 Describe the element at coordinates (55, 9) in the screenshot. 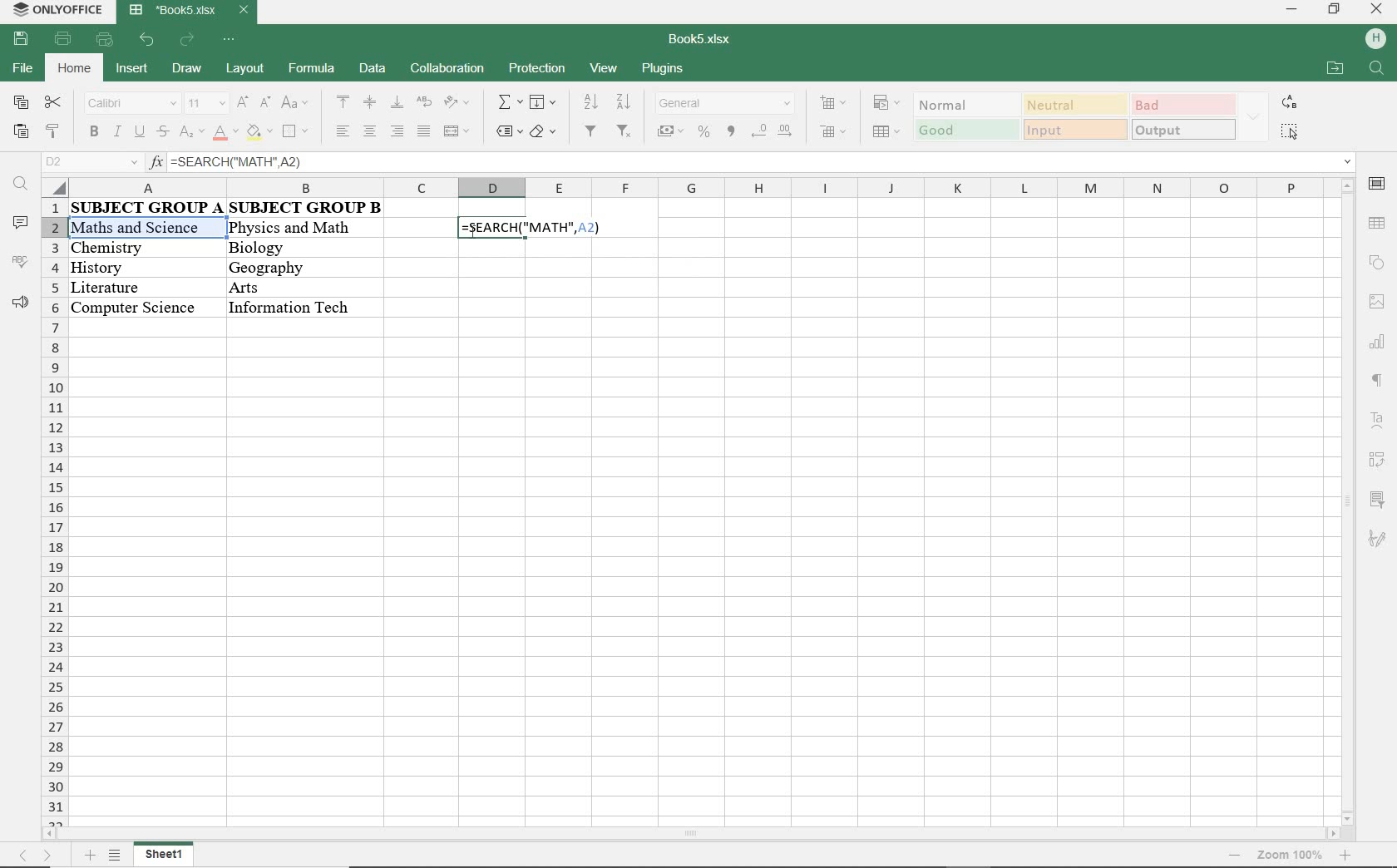

I see `system name` at that location.